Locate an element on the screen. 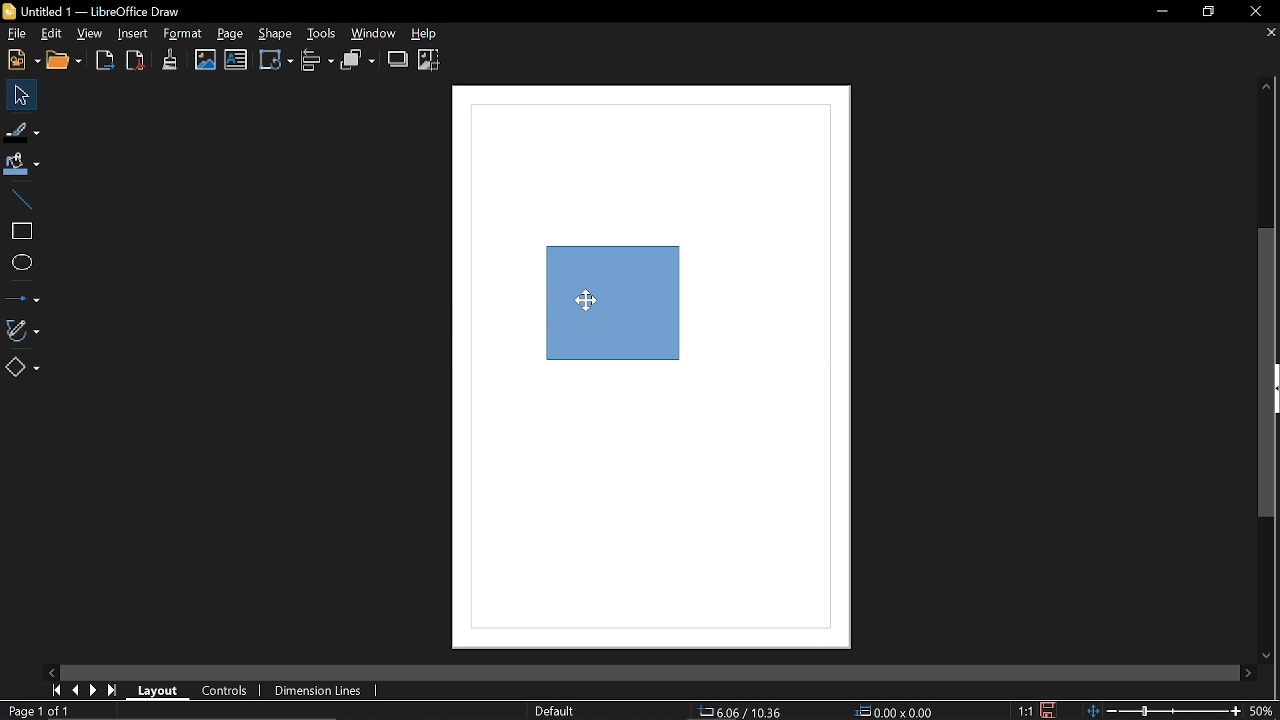  Close page is located at coordinates (1269, 34).